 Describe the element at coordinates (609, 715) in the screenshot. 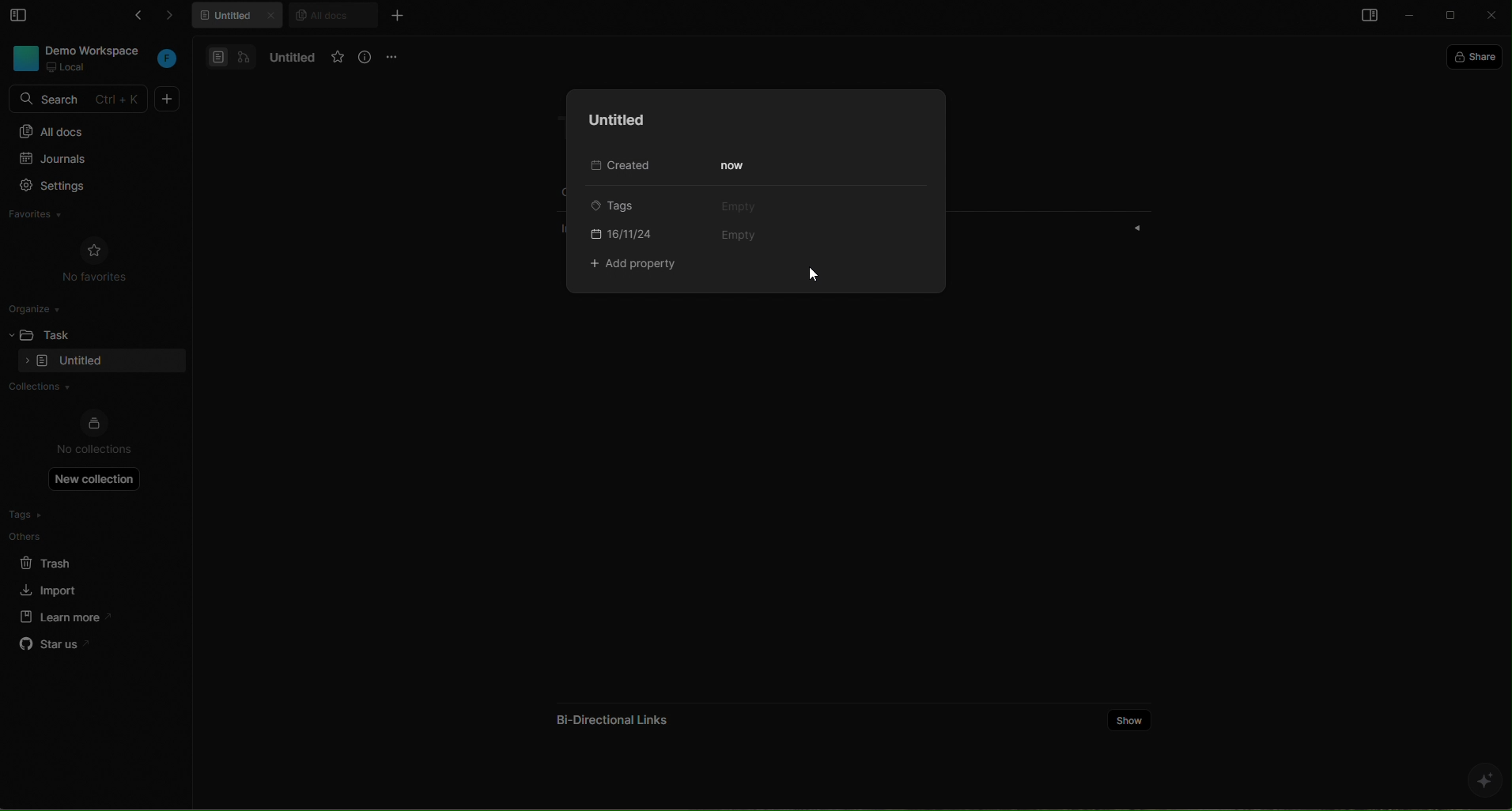

I see `bi directional links` at that location.